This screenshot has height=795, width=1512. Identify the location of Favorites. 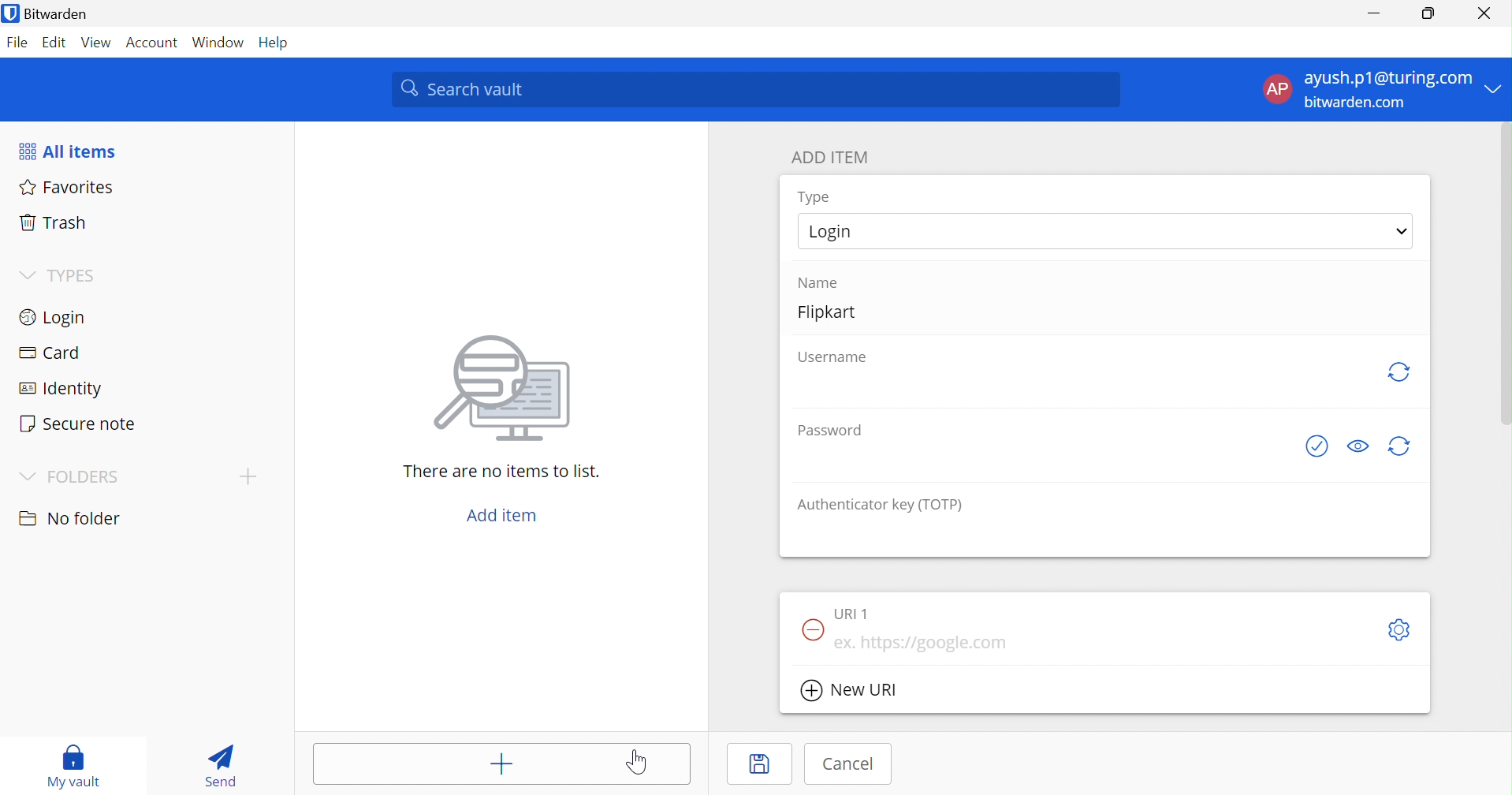
(69, 188).